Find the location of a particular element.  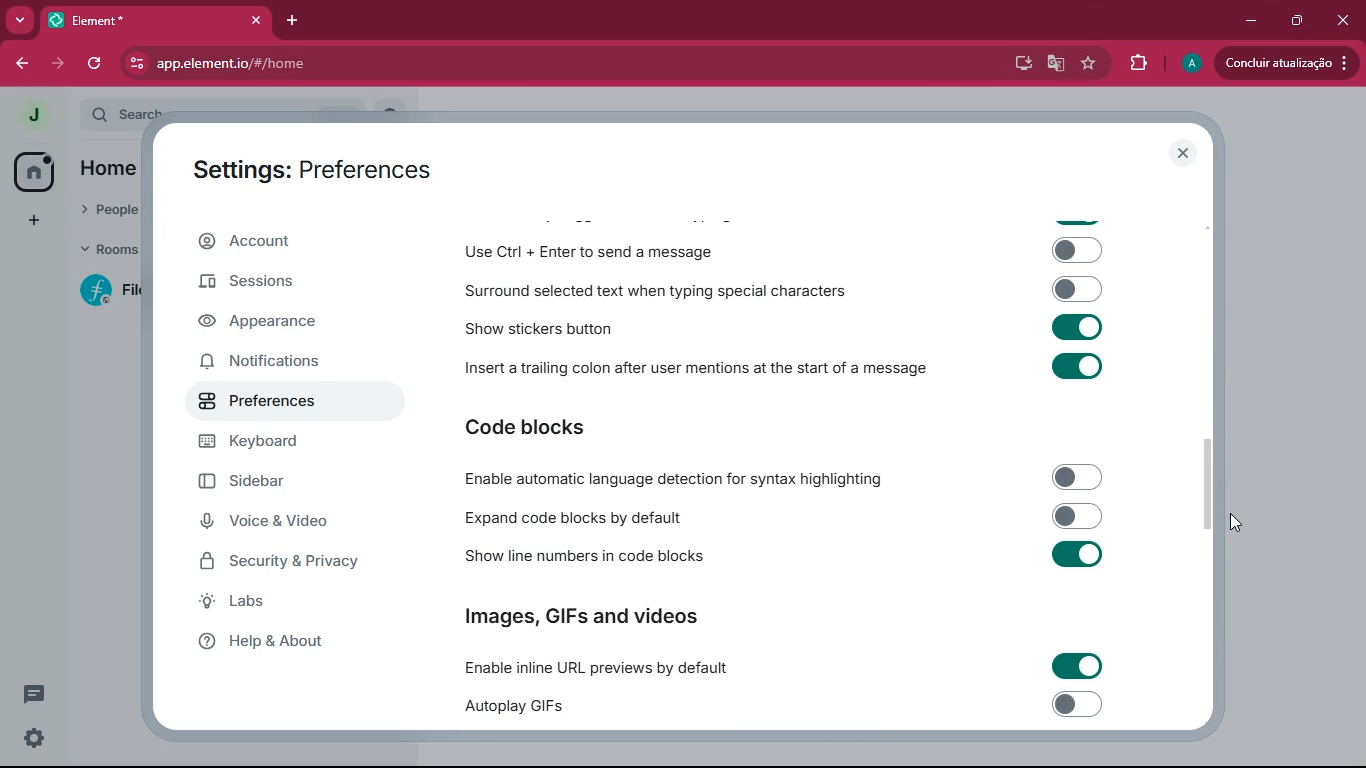

notifications is located at coordinates (276, 363).